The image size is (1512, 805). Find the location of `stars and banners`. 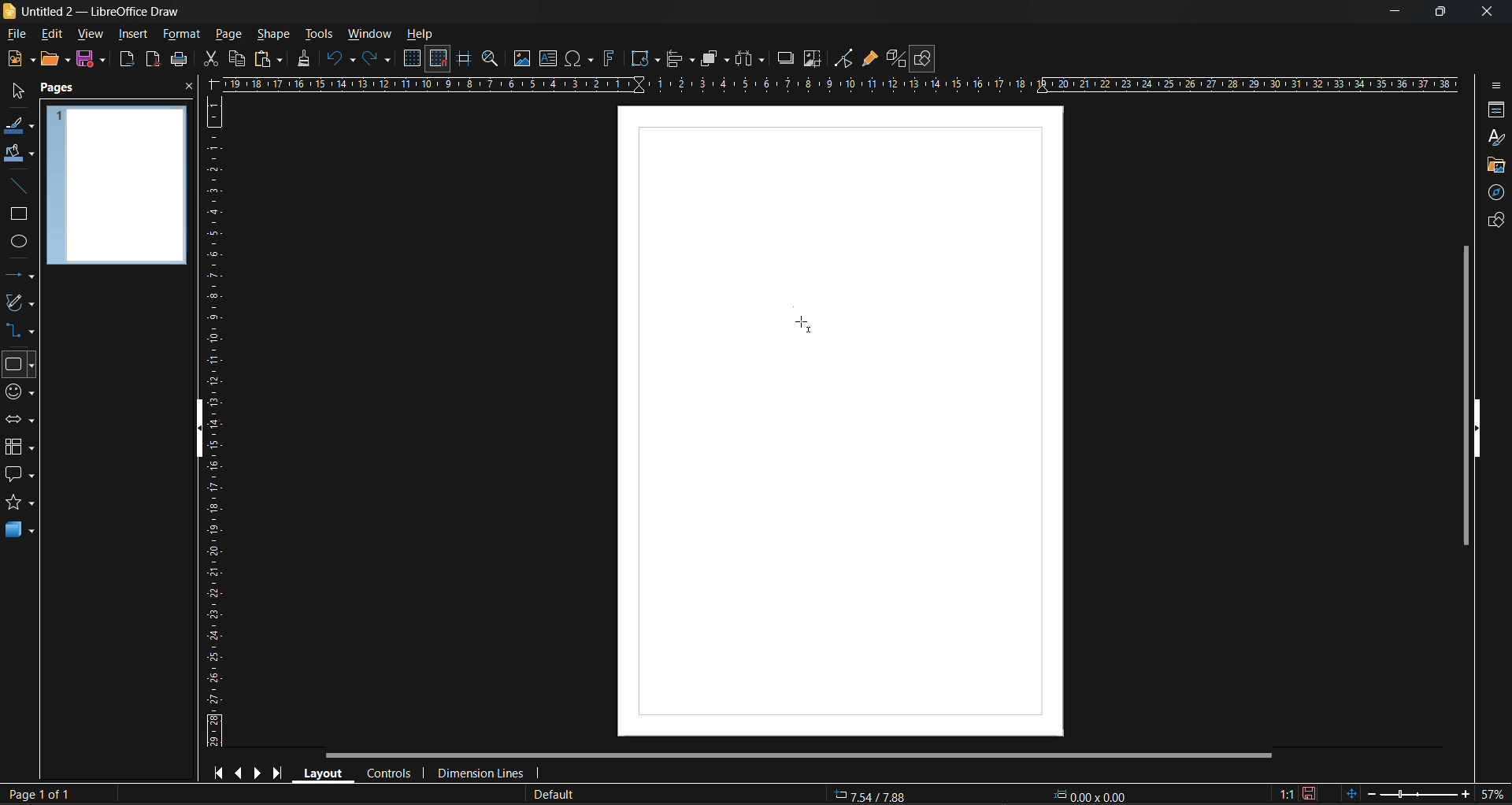

stars and banners is located at coordinates (18, 502).